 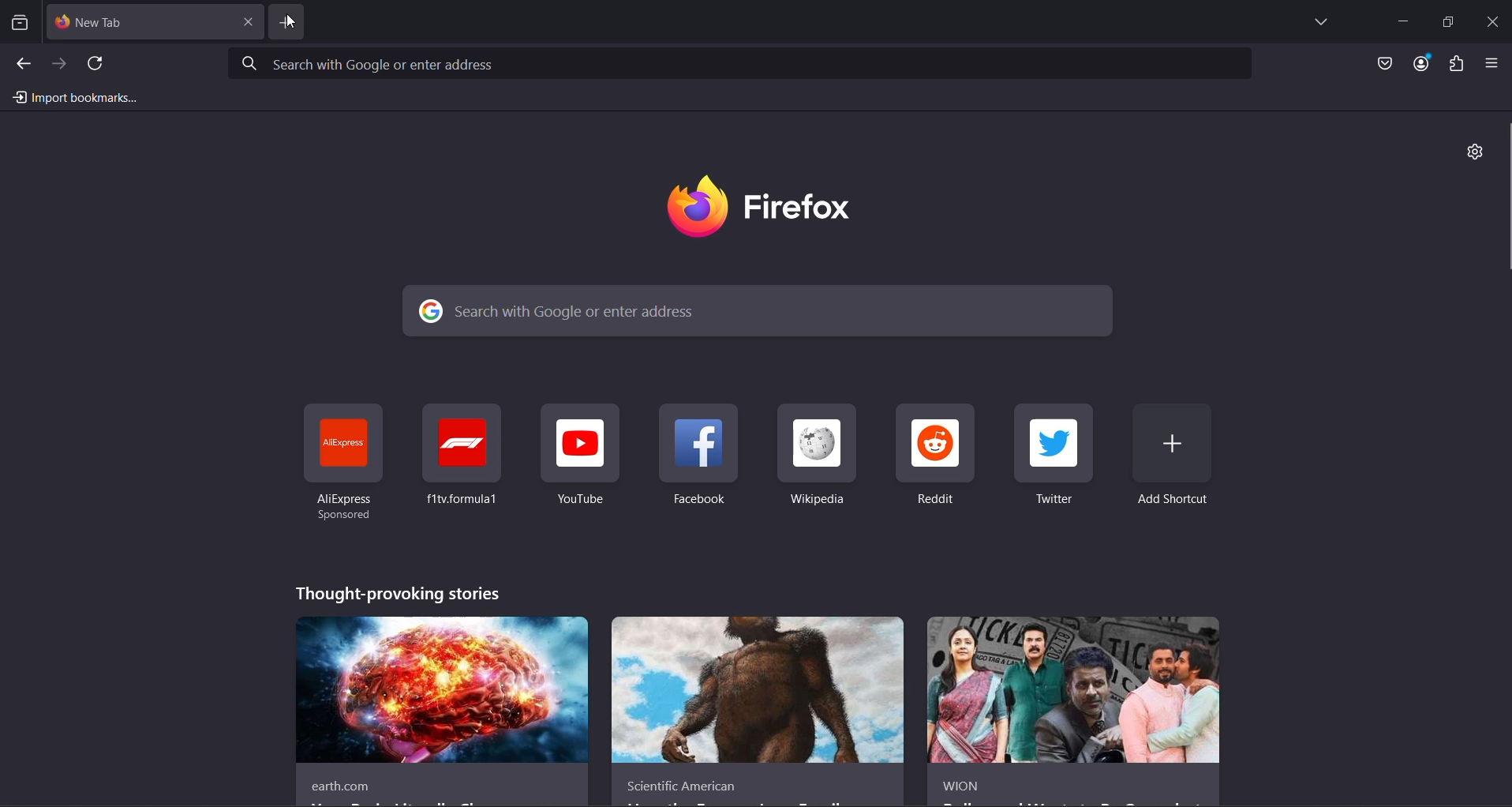 I want to click on open application menu, so click(x=1497, y=65).